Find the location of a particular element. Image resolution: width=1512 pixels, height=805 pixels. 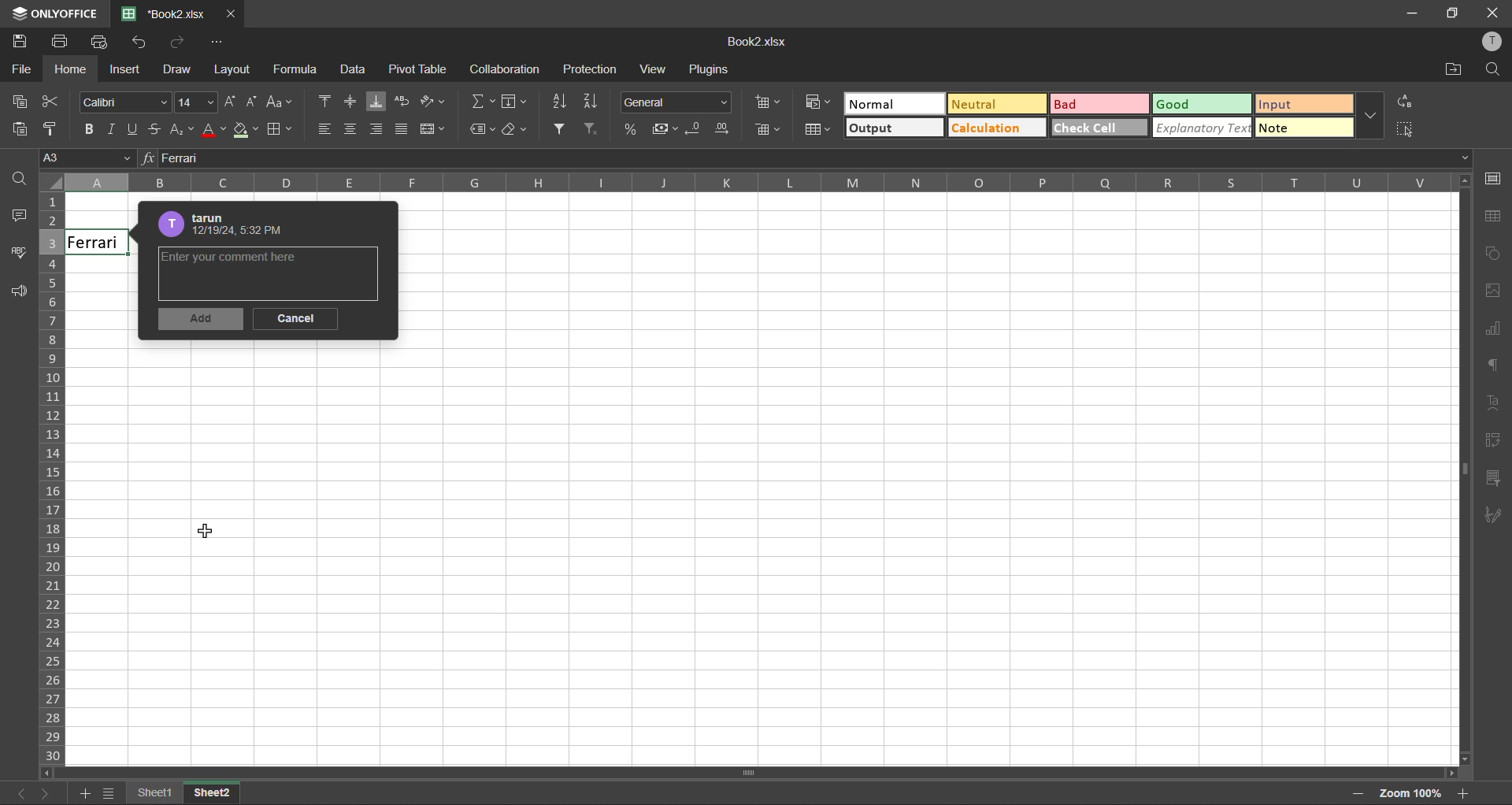

underline is located at coordinates (135, 130).